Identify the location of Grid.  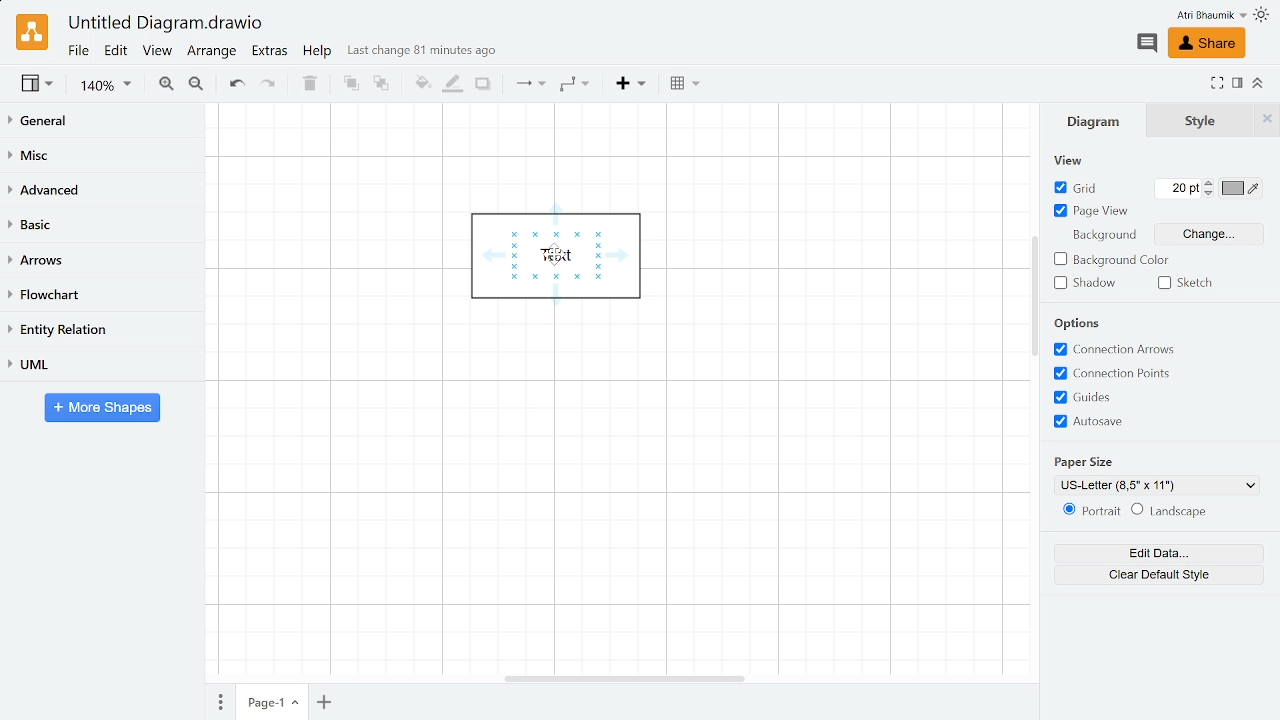
(1076, 189).